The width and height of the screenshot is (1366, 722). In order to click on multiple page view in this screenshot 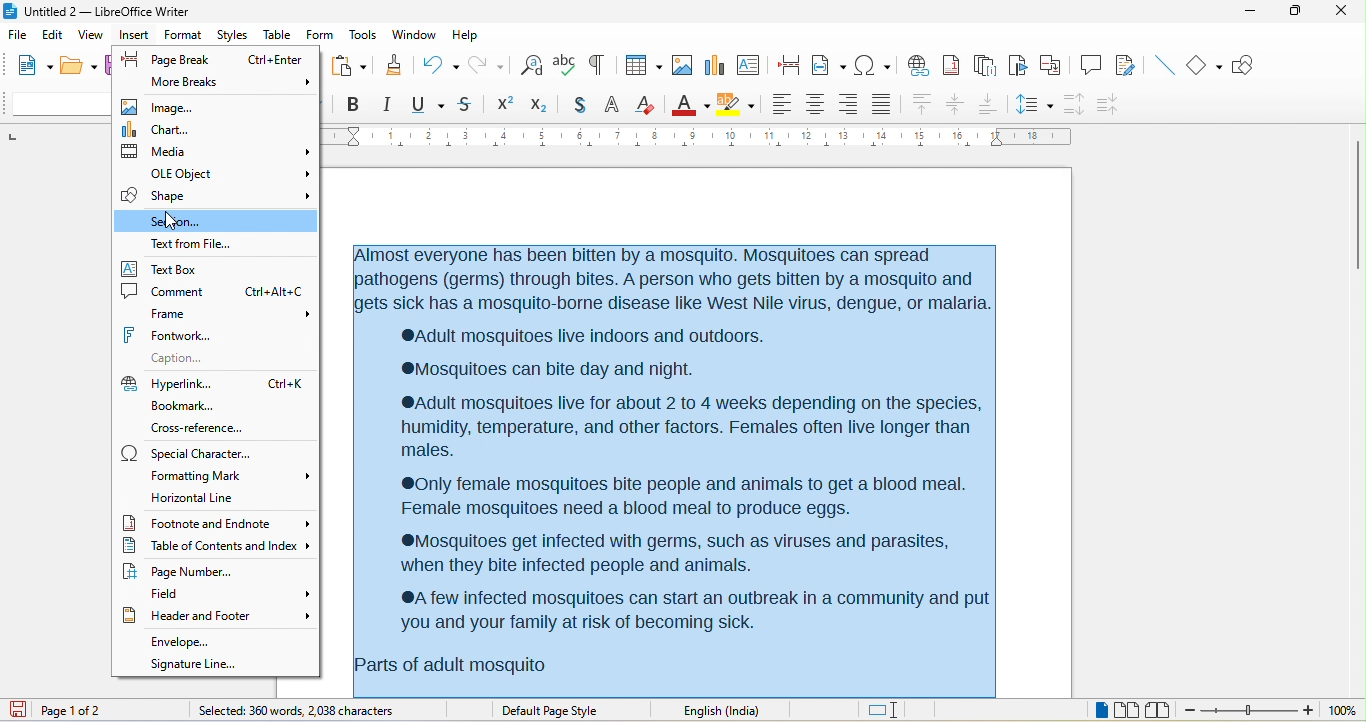, I will do `click(1126, 710)`.